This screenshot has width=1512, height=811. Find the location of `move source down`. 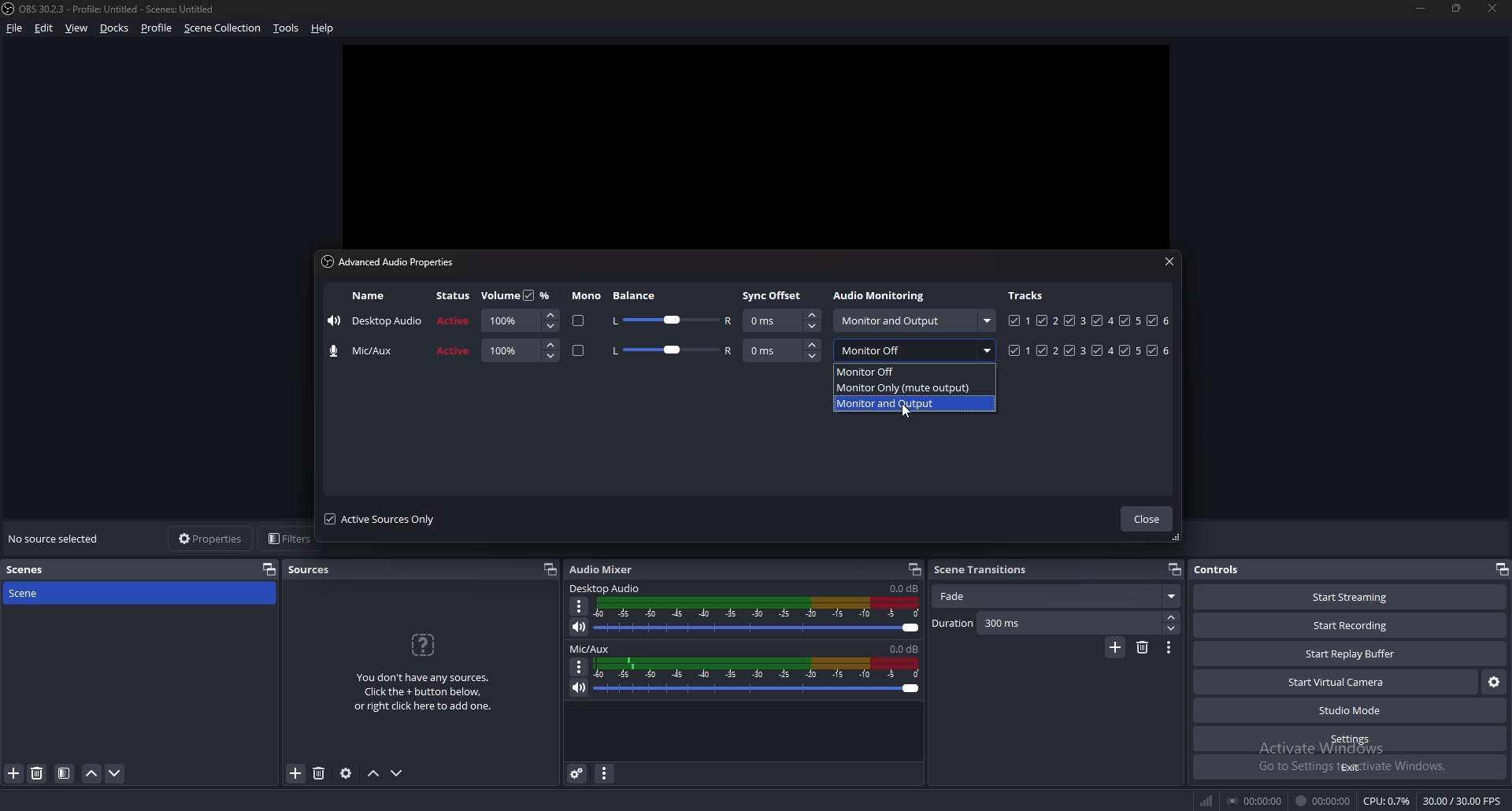

move source down is located at coordinates (397, 772).